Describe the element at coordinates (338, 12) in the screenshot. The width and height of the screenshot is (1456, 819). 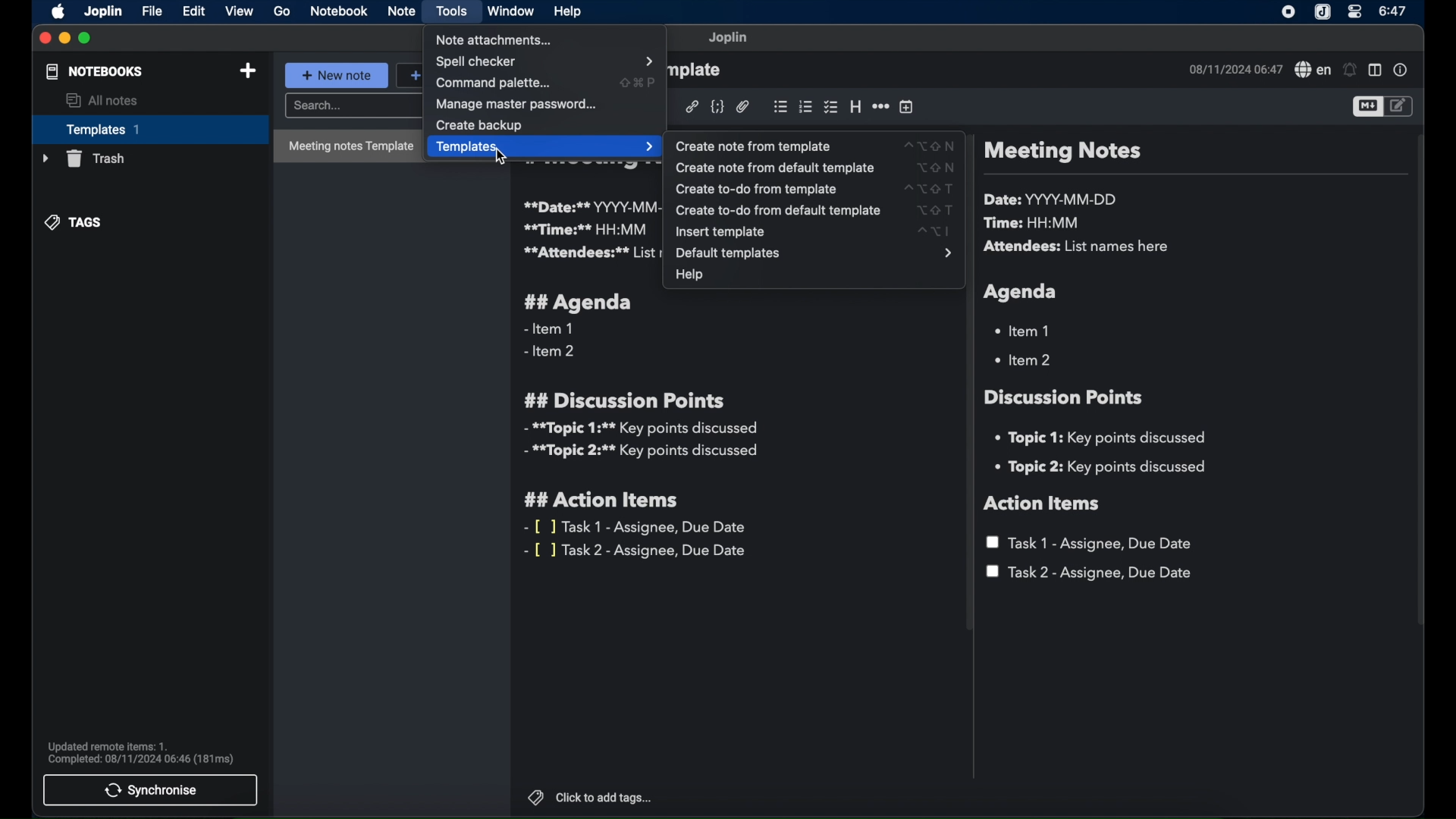
I see `notebook` at that location.